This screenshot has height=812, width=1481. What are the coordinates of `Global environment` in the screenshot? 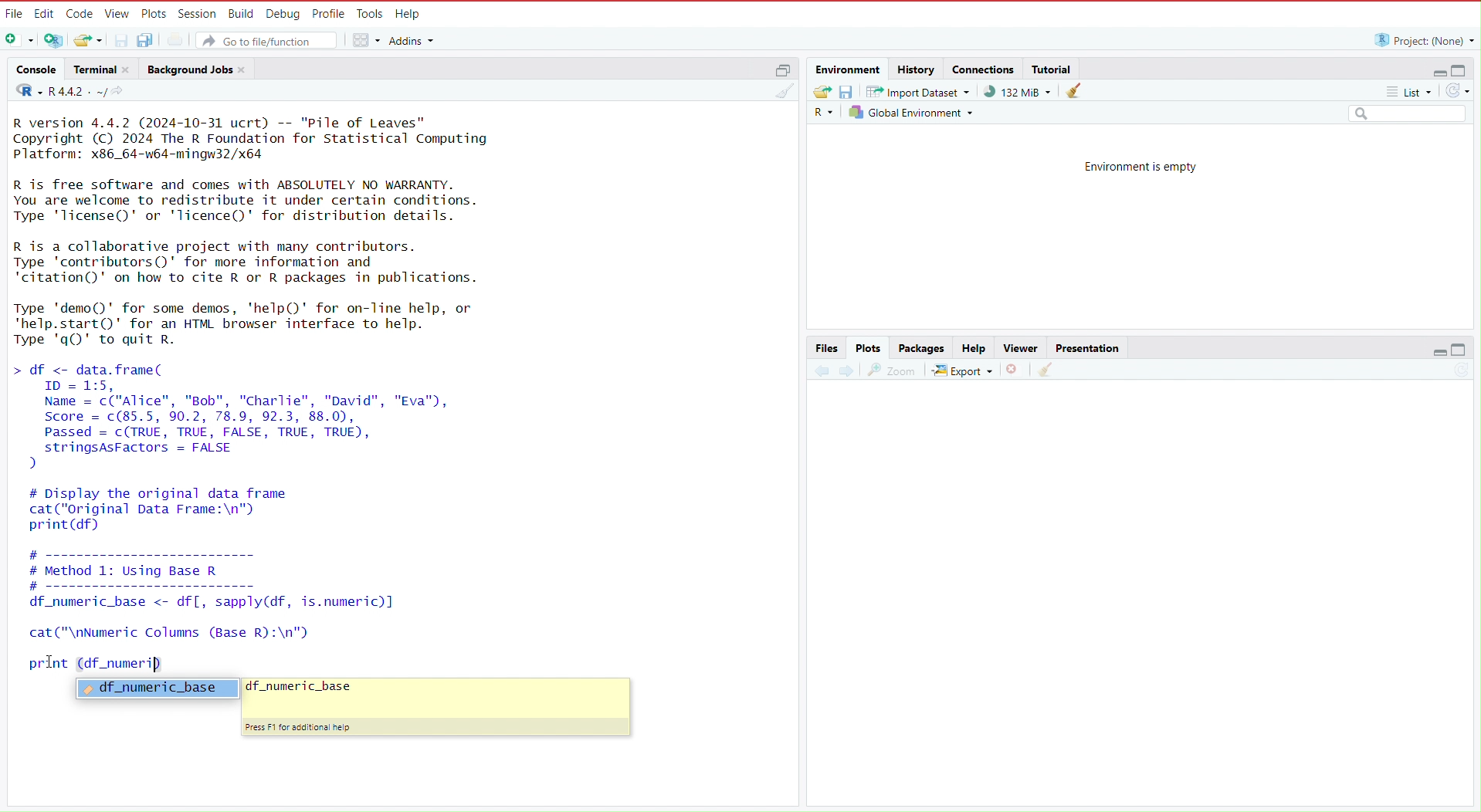 It's located at (912, 113).